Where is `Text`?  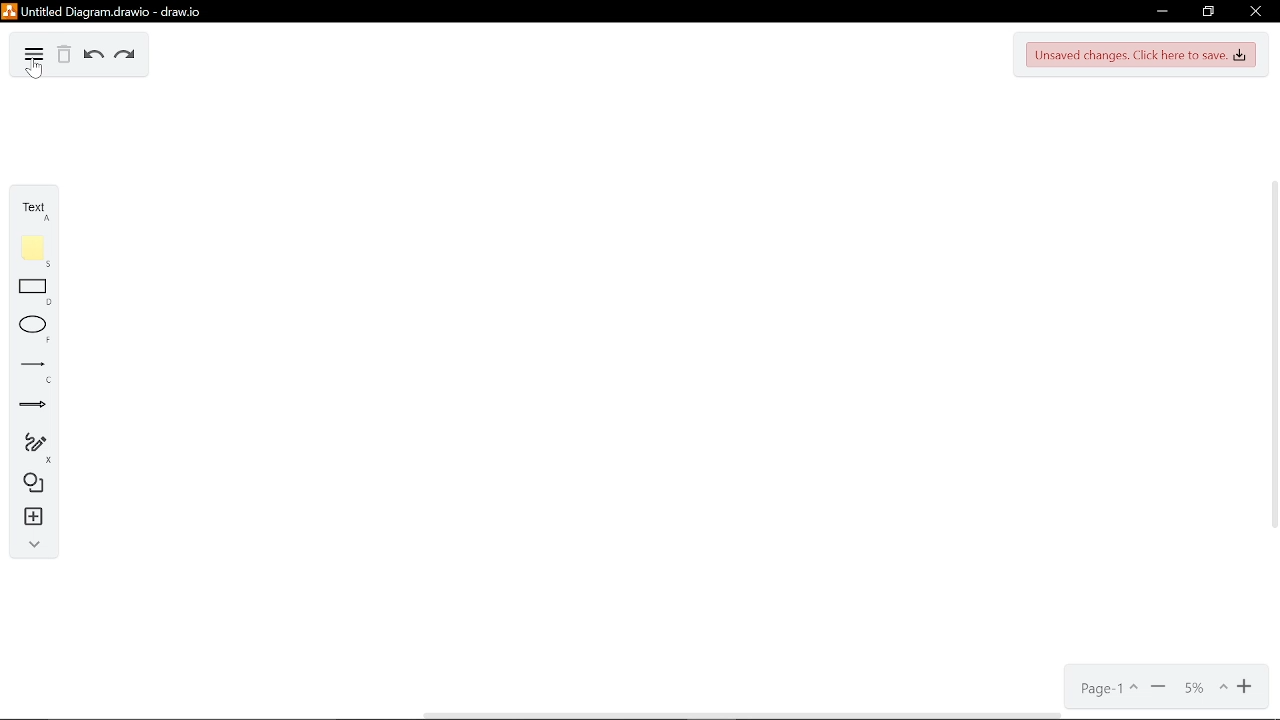
Text is located at coordinates (28, 208).